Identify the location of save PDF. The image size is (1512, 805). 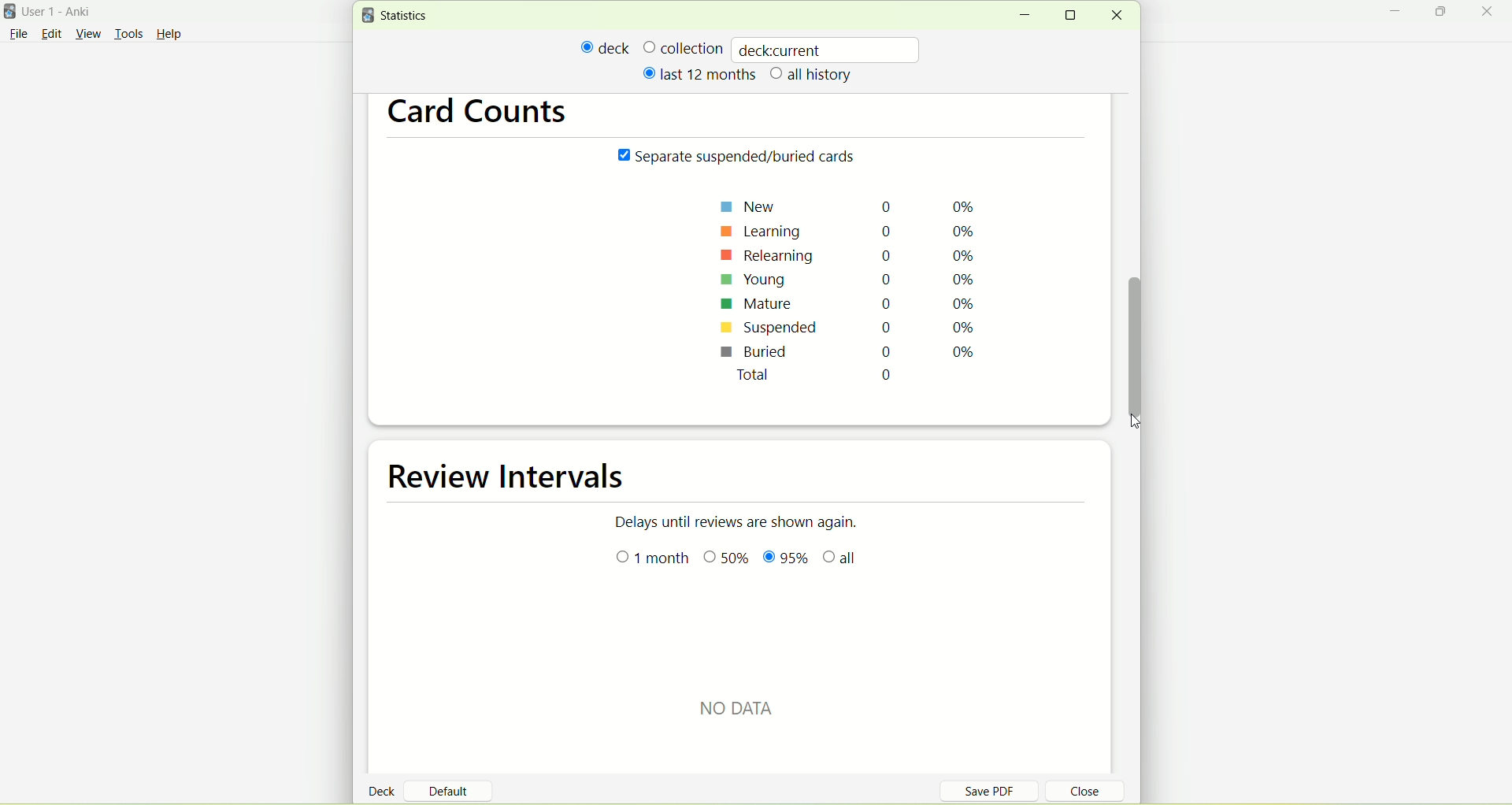
(999, 790).